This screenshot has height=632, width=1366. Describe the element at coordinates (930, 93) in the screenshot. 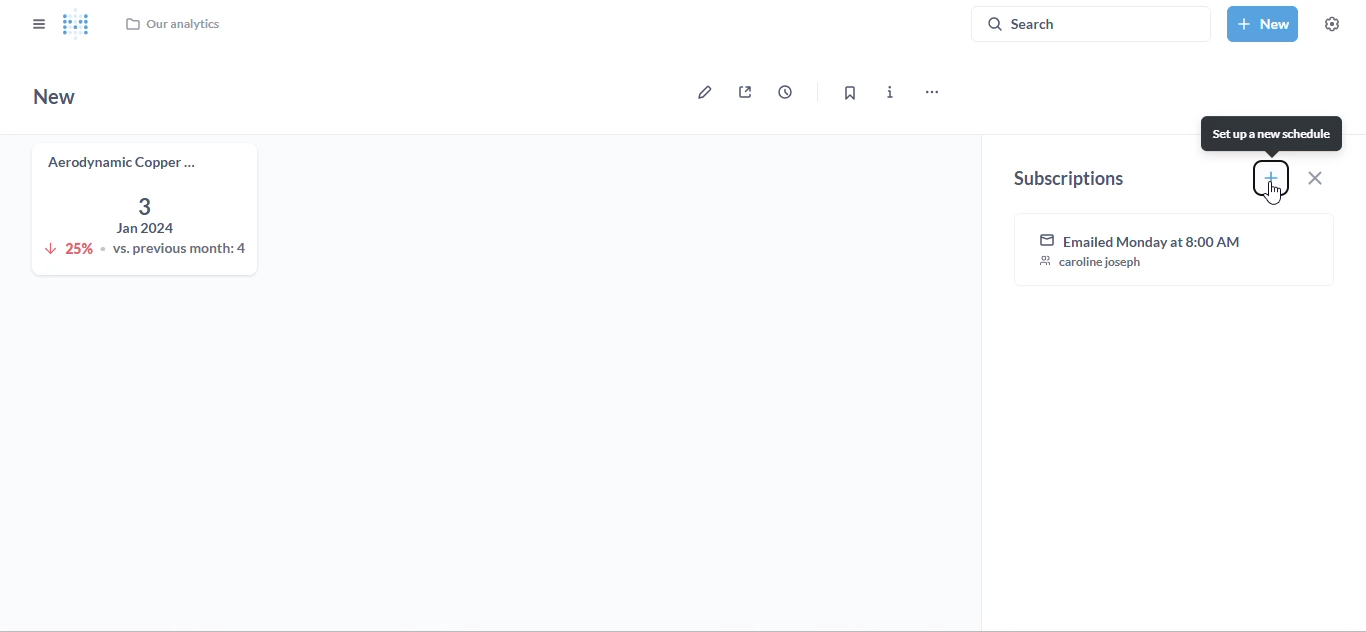

I see `more` at that location.